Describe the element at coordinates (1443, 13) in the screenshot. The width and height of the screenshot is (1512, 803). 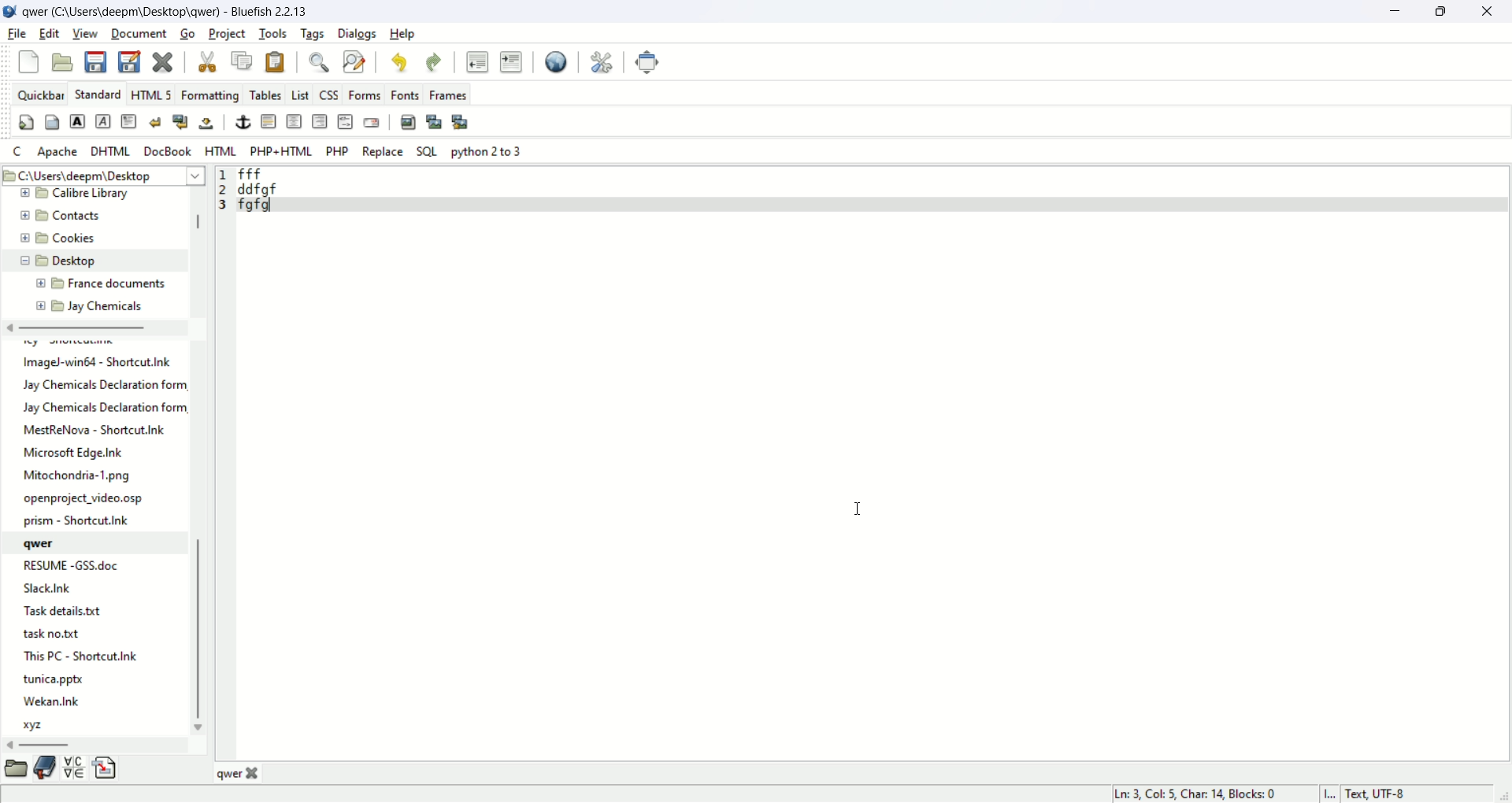
I see `maximize` at that location.